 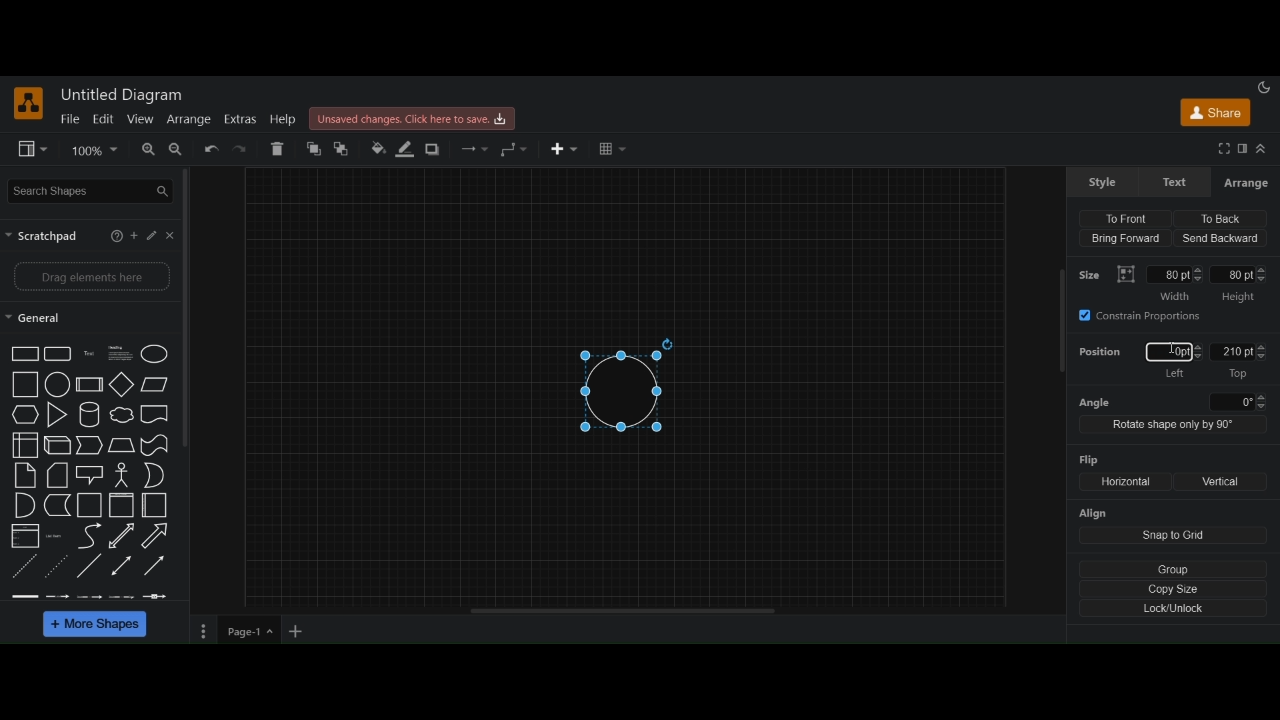 What do you see at coordinates (514, 149) in the screenshot?
I see `waypoints` at bounding box center [514, 149].